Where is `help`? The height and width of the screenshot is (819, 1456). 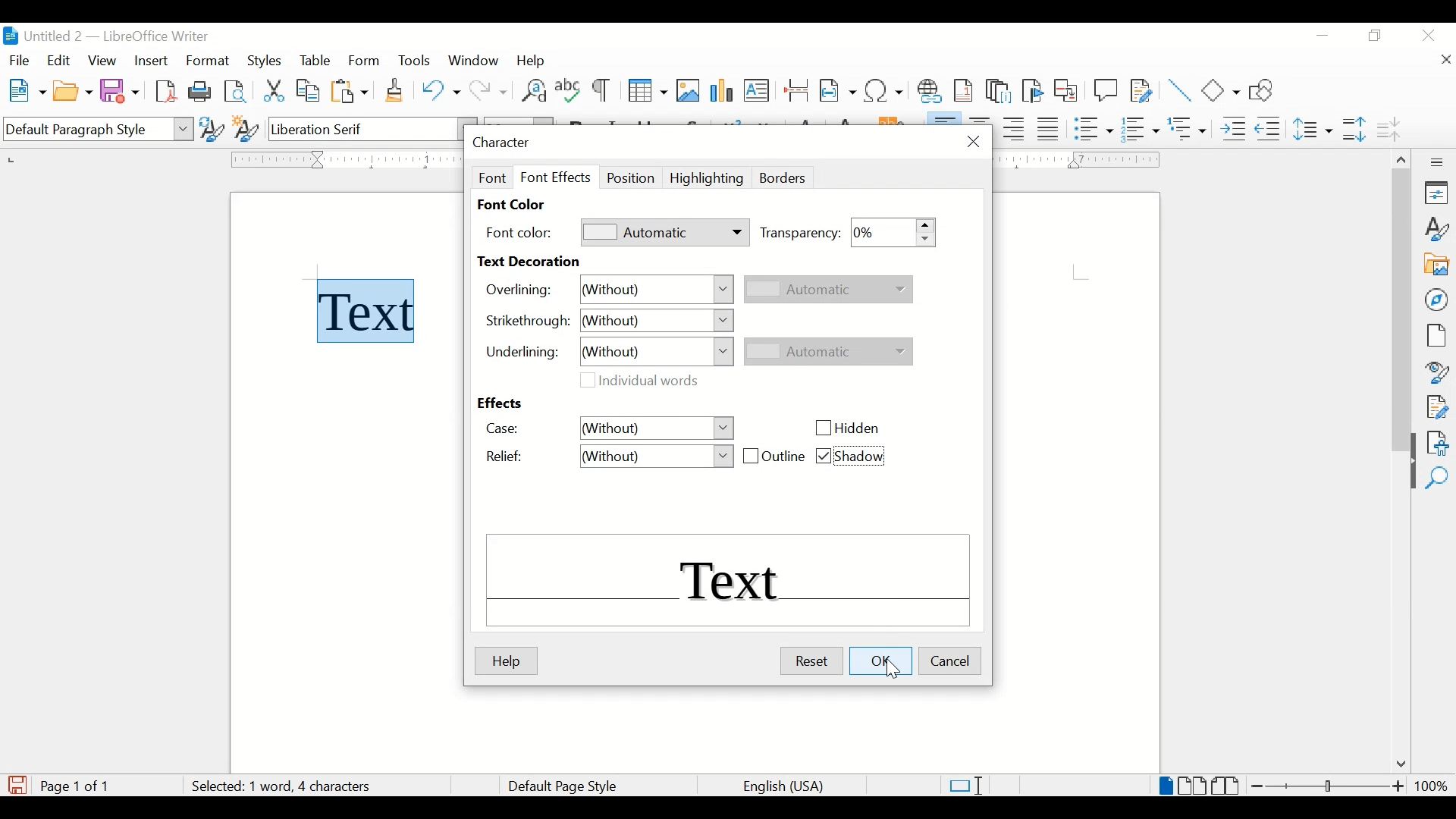
help is located at coordinates (534, 61).